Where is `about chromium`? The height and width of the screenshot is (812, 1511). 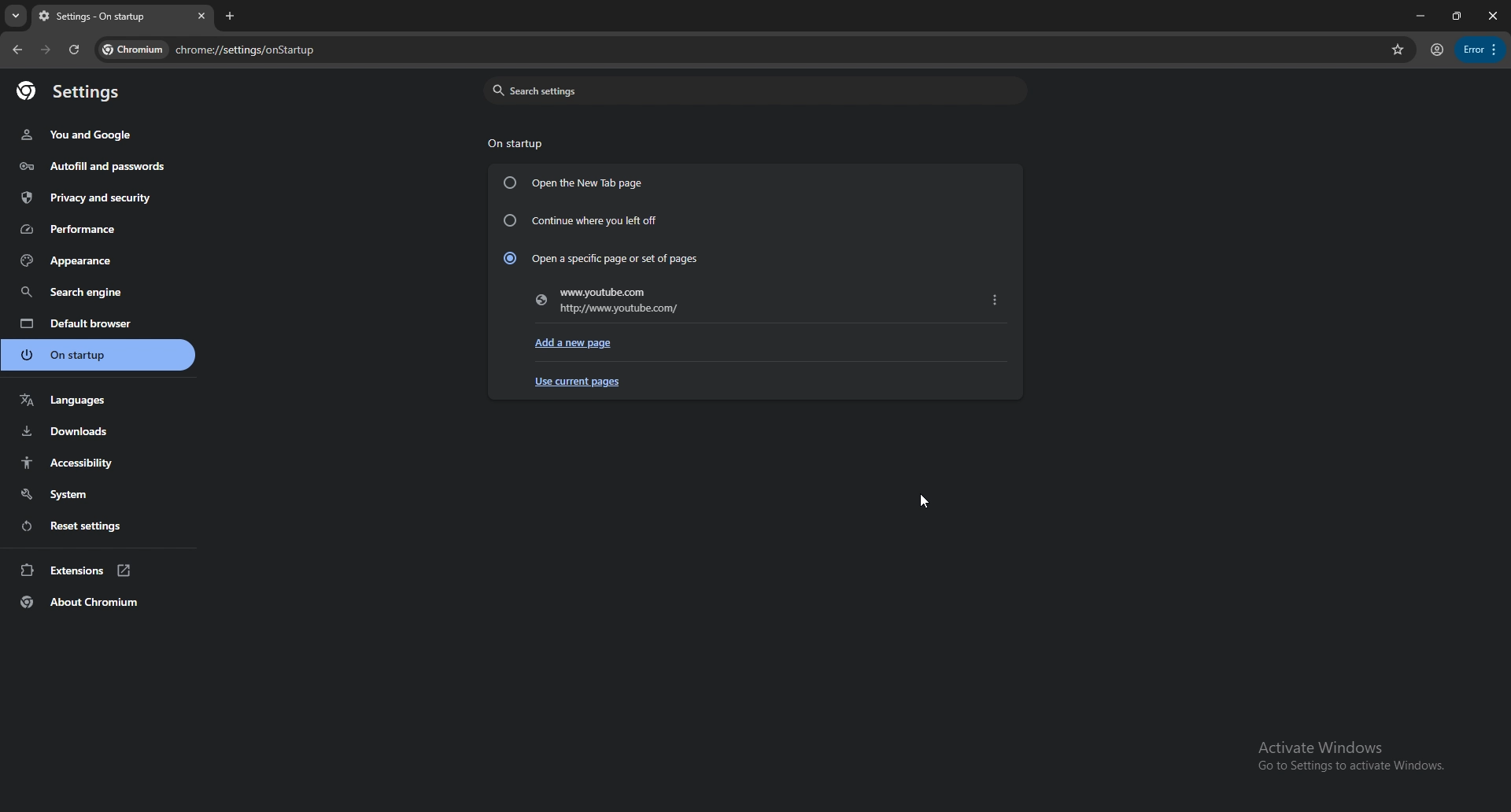
about chromium is located at coordinates (99, 602).